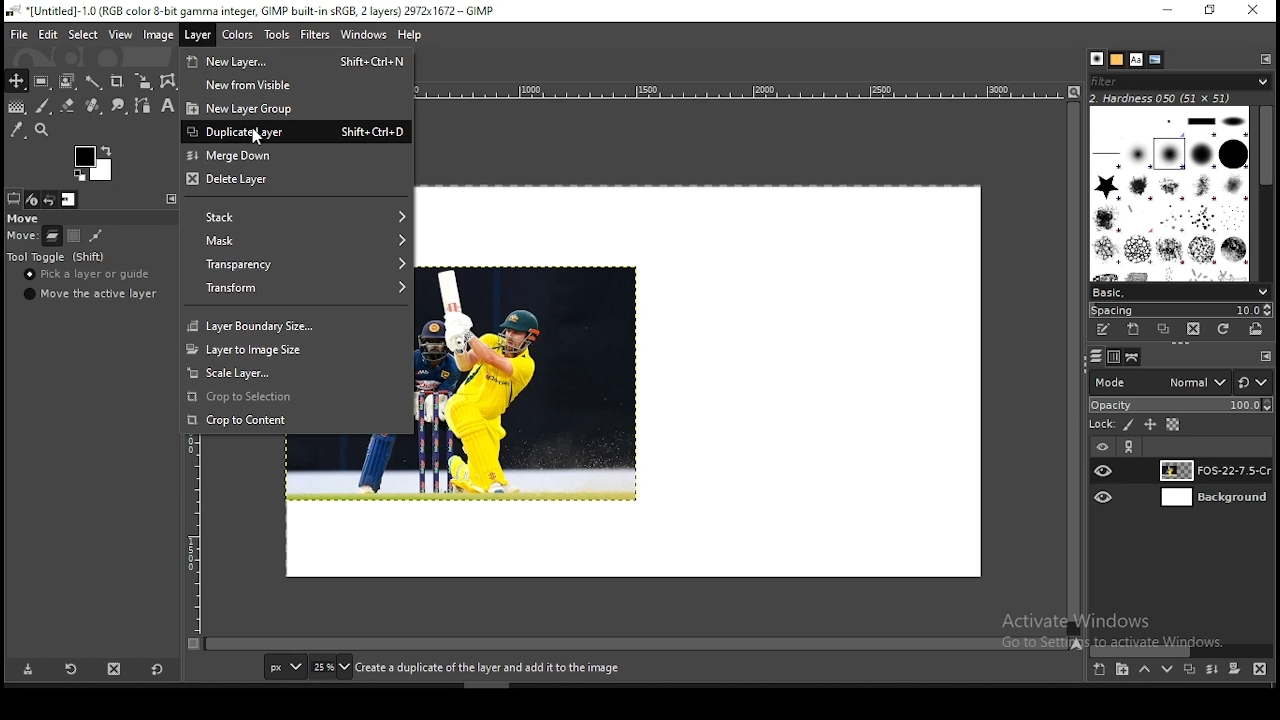 Image resolution: width=1280 pixels, height=720 pixels. Describe the element at coordinates (1171, 192) in the screenshot. I see `Designs` at that location.